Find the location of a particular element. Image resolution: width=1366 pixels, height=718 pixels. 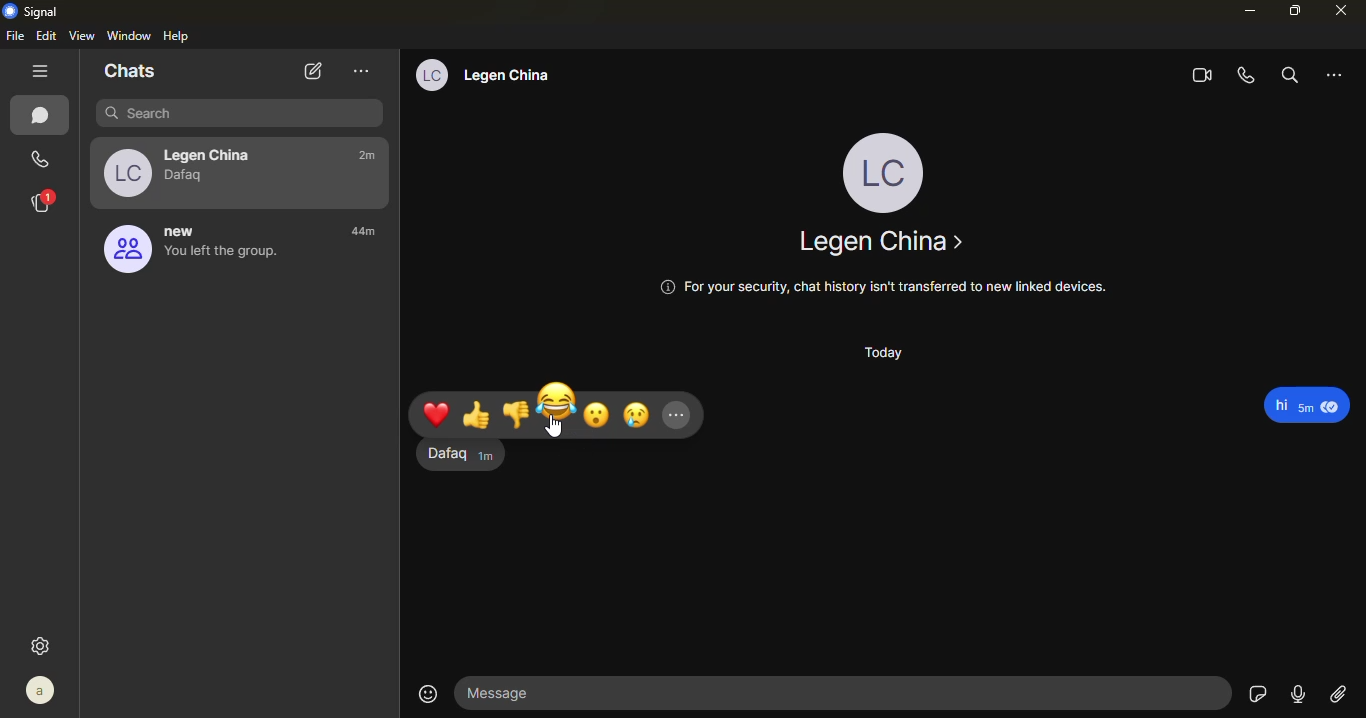

surprise is located at coordinates (599, 413).